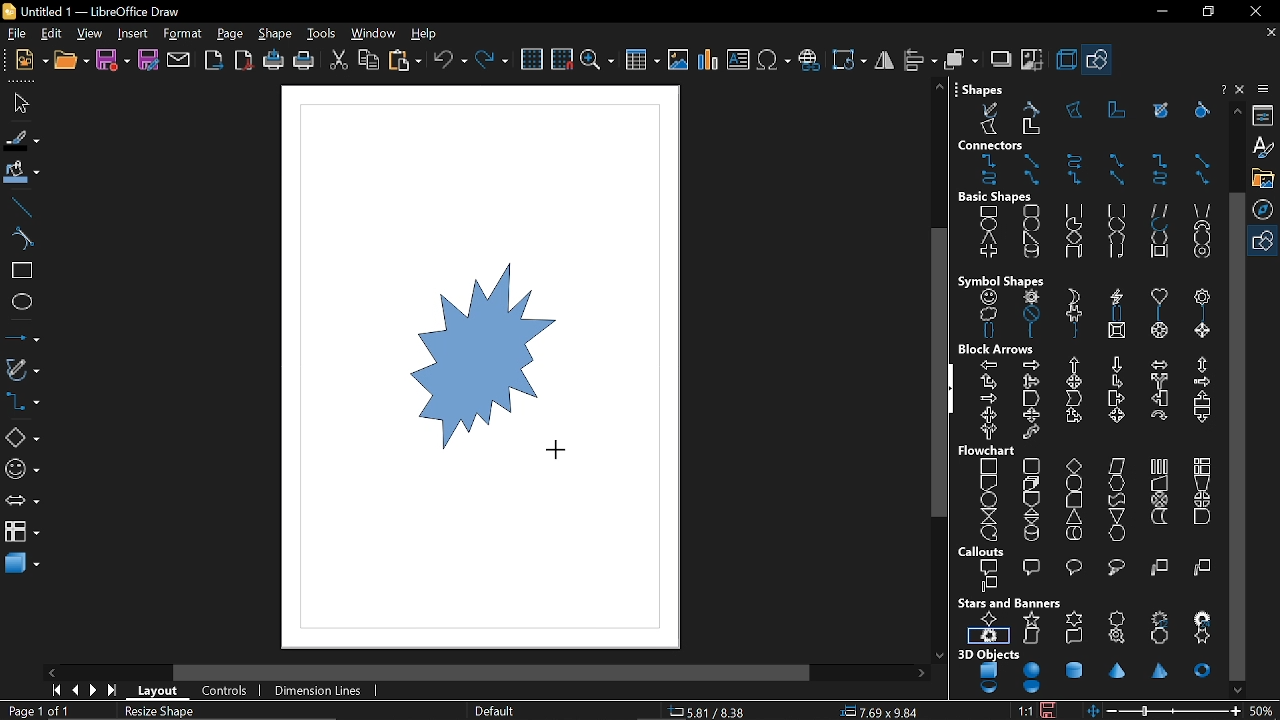 This screenshot has height=720, width=1280. I want to click on Basic shapes, so click(1099, 62).